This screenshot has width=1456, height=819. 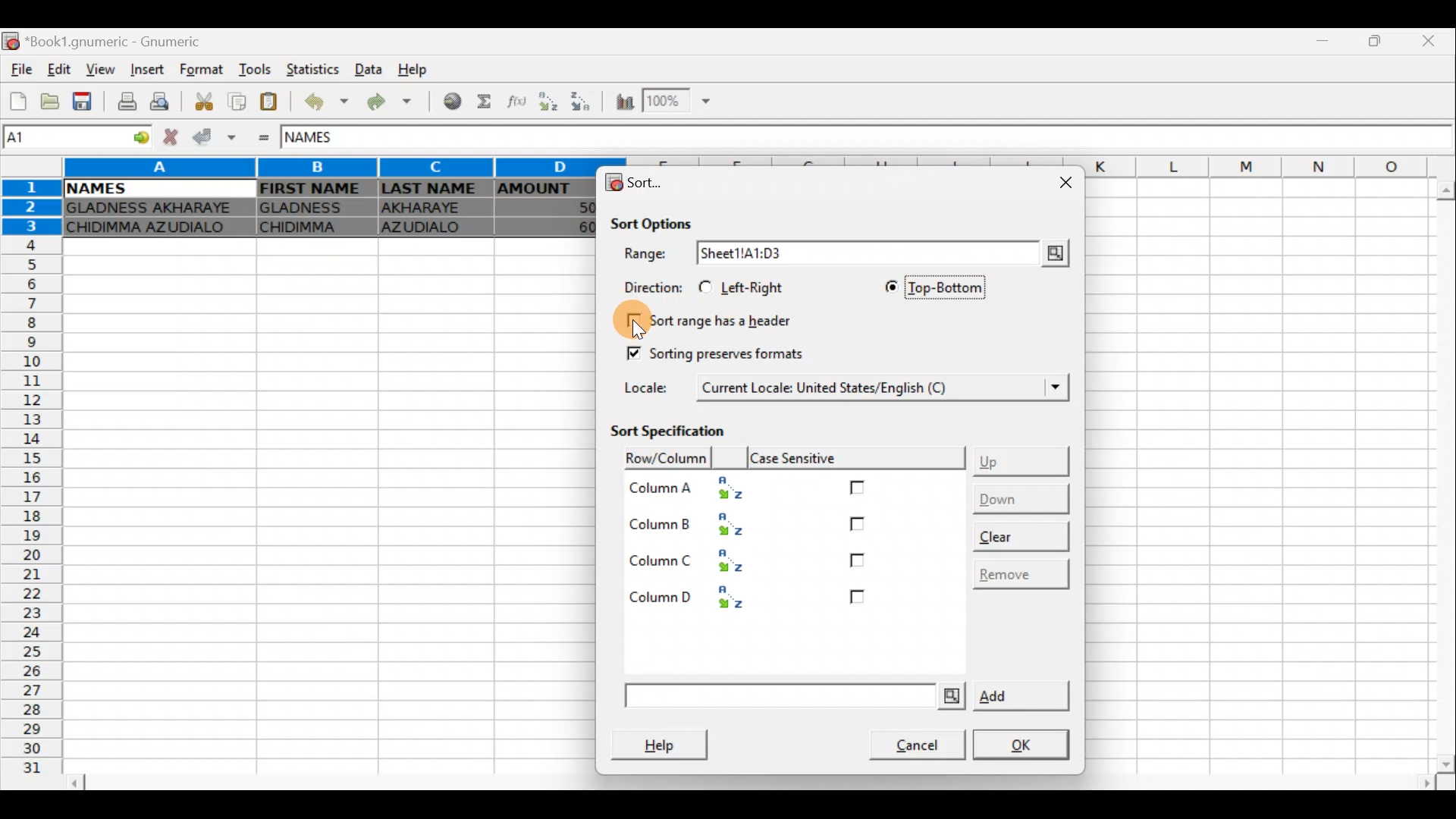 I want to click on Scroll bar, so click(x=749, y=789).